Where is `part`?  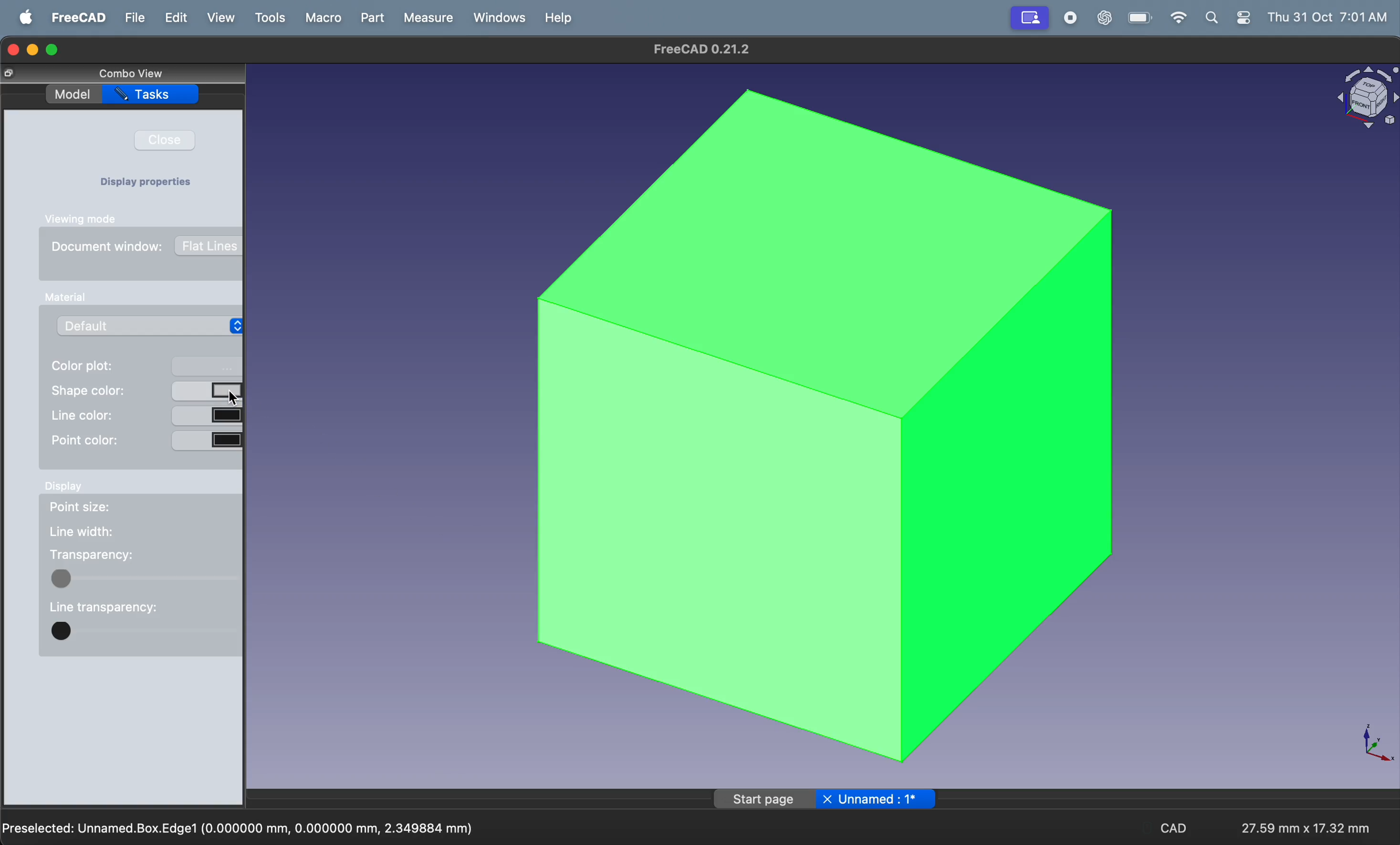 part is located at coordinates (375, 19).